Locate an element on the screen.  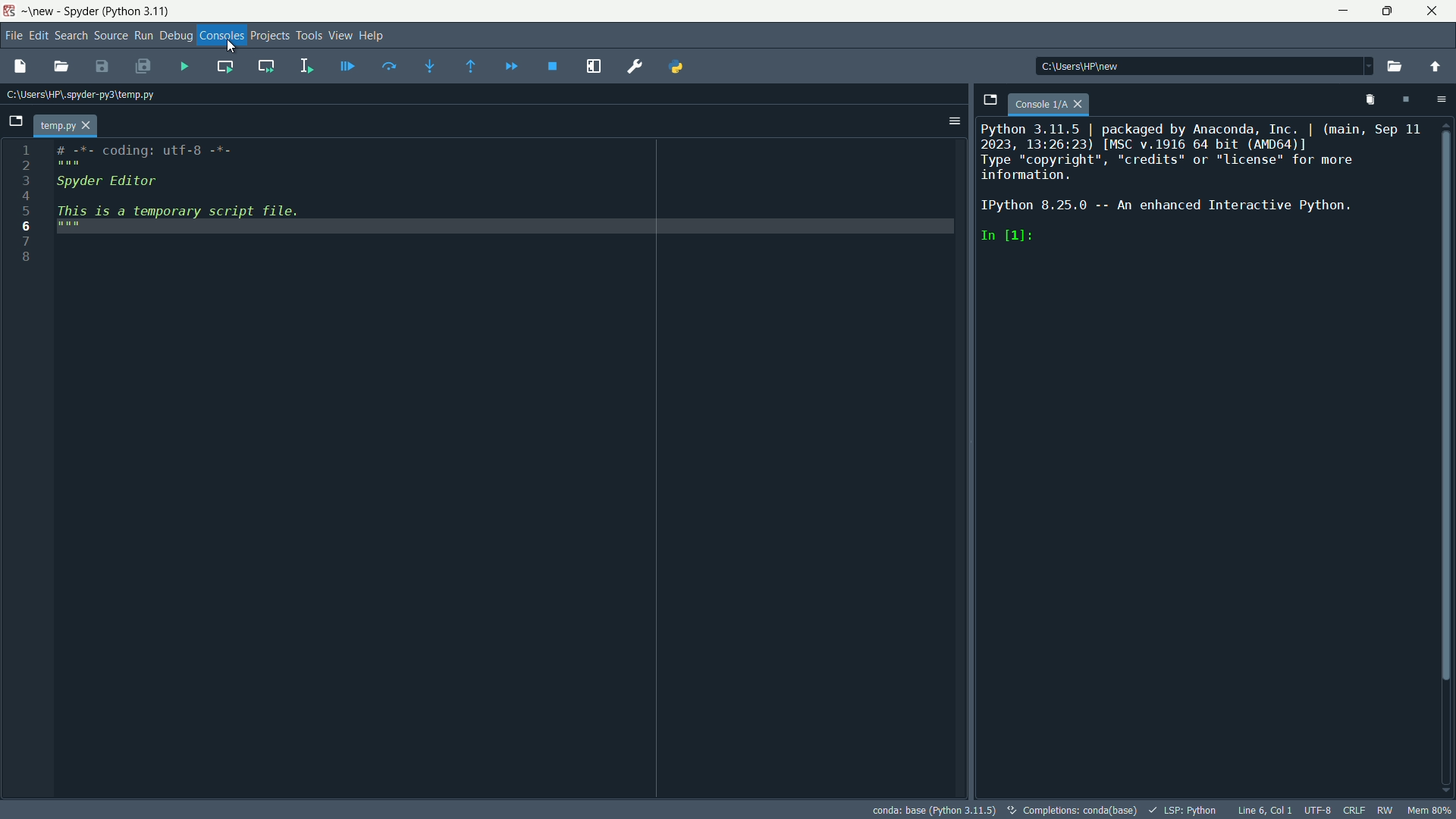
file menu is located at coordinates (13, 35).